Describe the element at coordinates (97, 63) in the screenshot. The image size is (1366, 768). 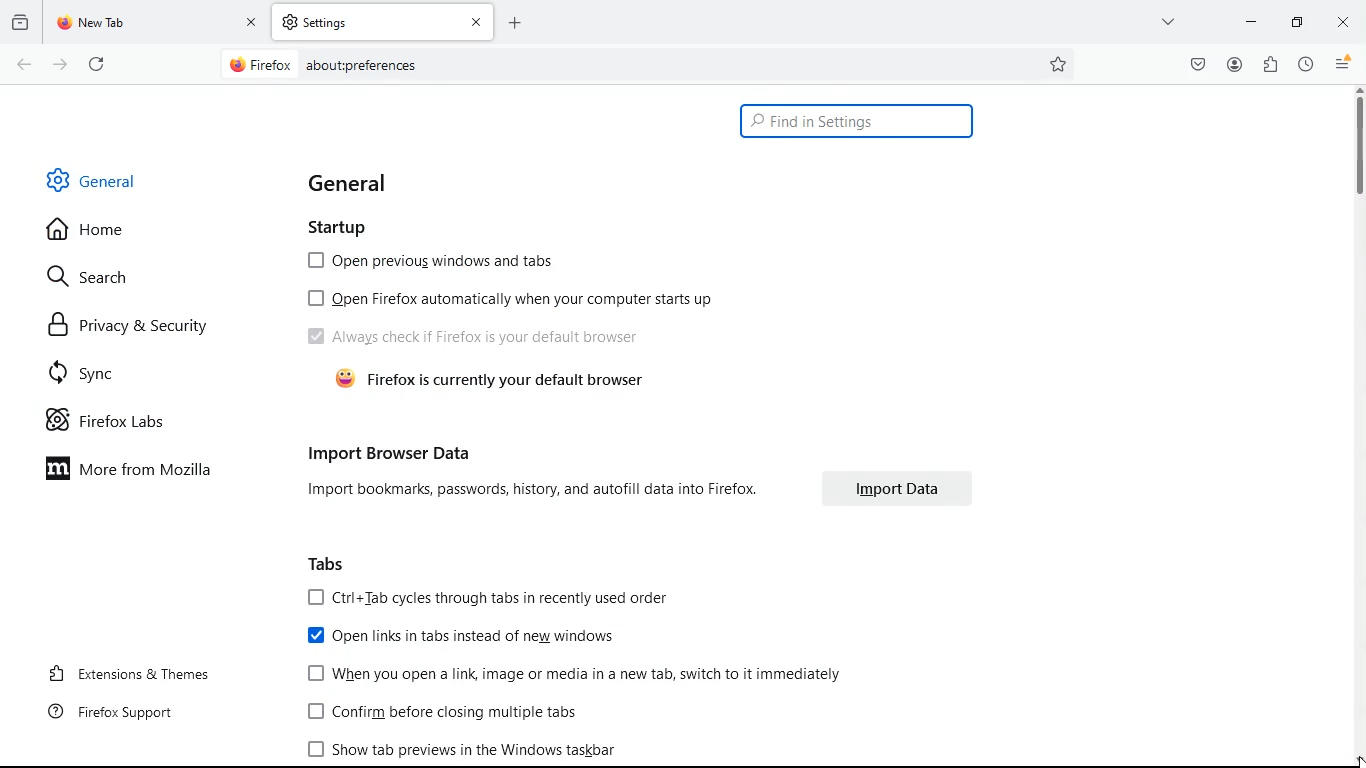
I see `refresh` at that location.